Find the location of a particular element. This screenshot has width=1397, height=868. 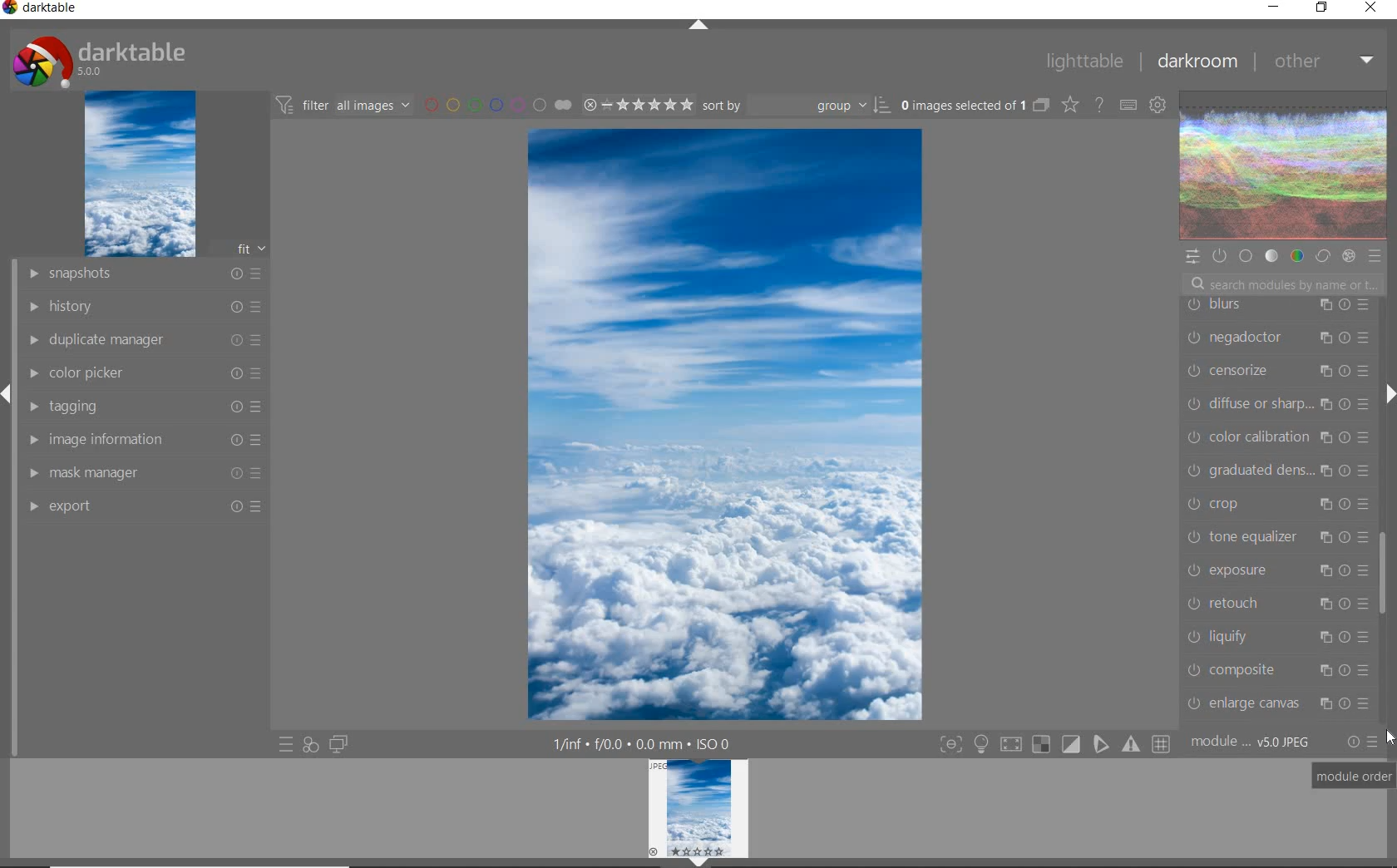

LIGHTTABLE is located at coordinates (1083, 60).